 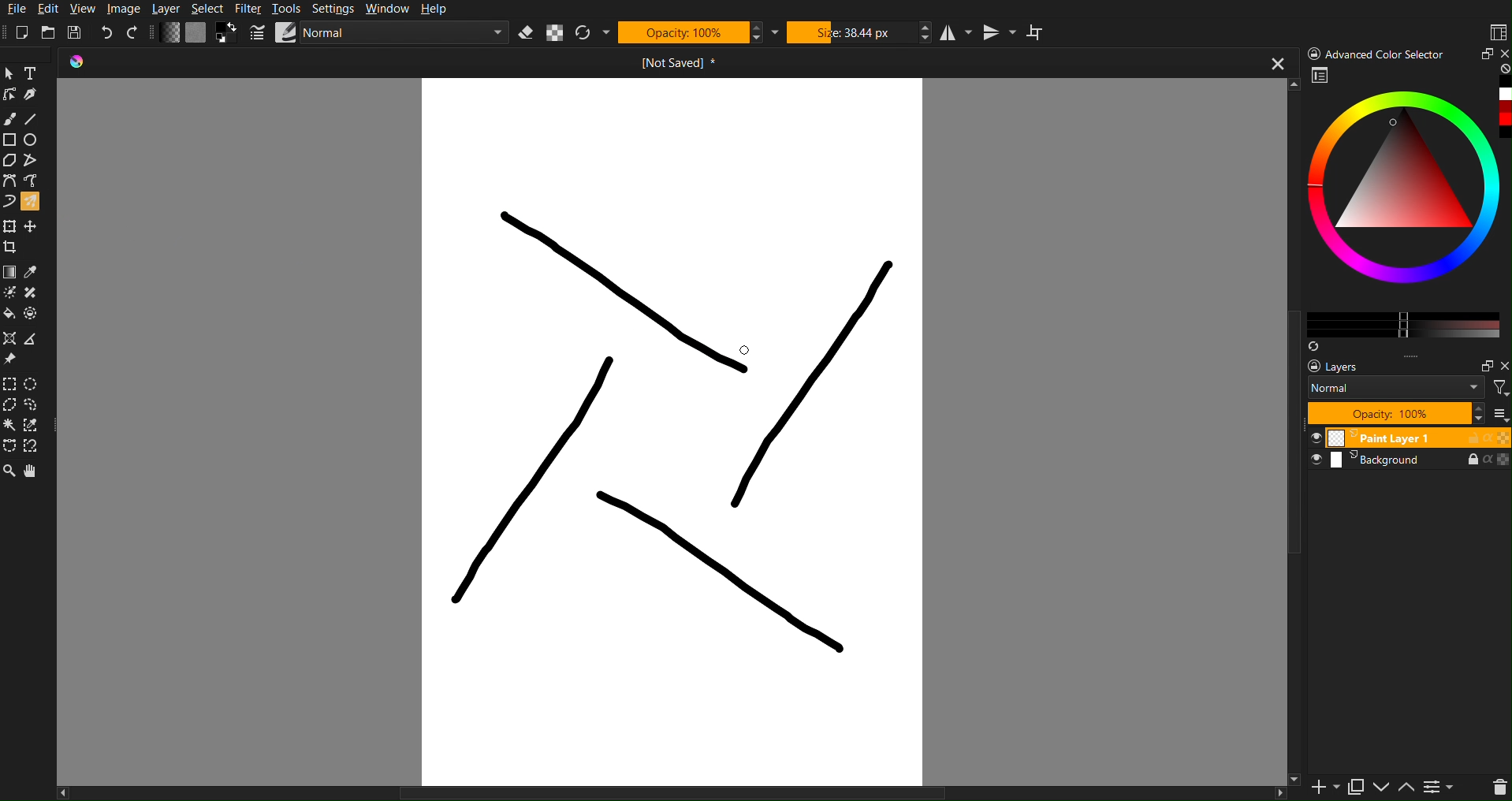 I want to click on Swap background and foreground, so click(x=229, y=32).